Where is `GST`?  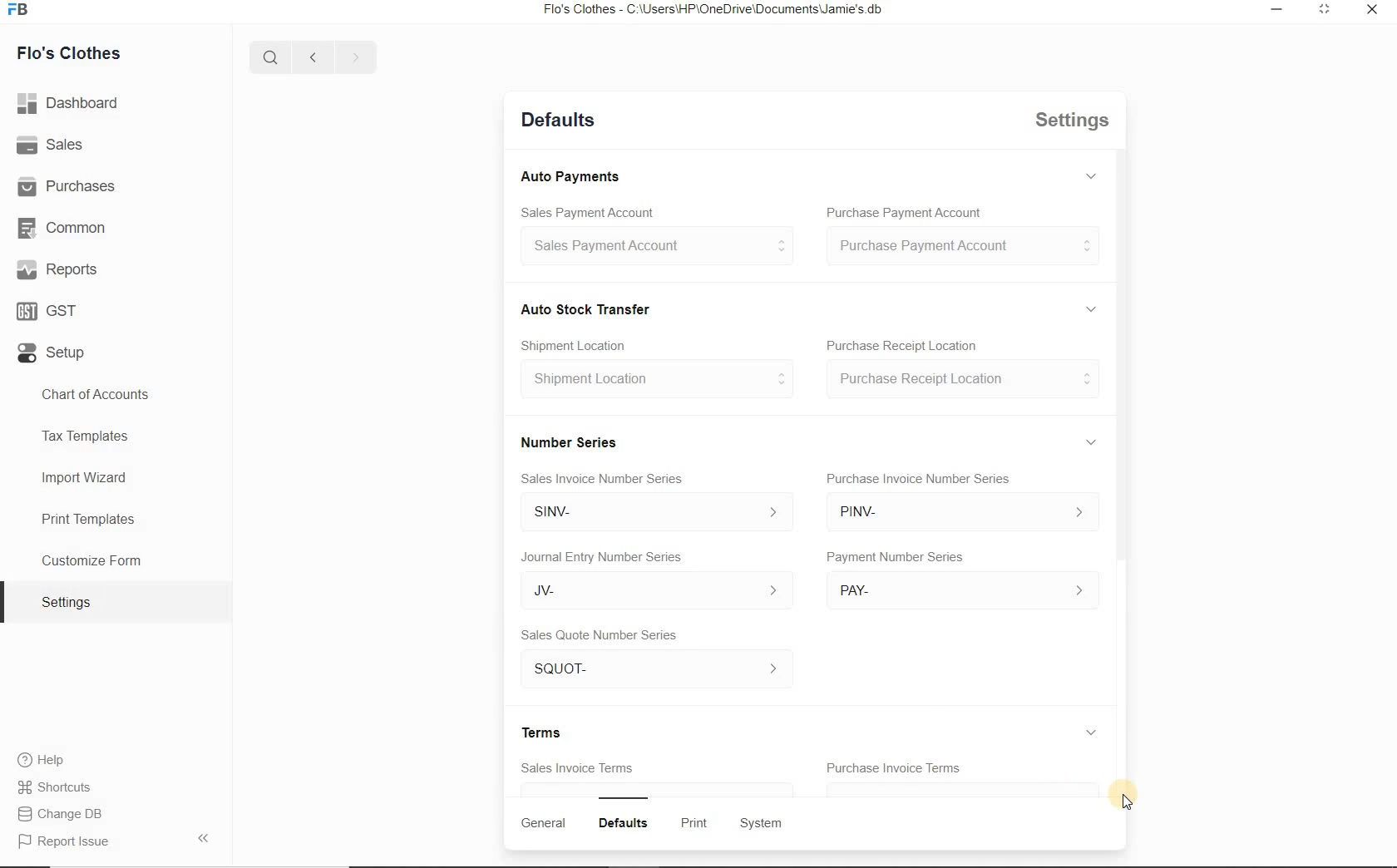
GST is located at coordinates (46, 312).